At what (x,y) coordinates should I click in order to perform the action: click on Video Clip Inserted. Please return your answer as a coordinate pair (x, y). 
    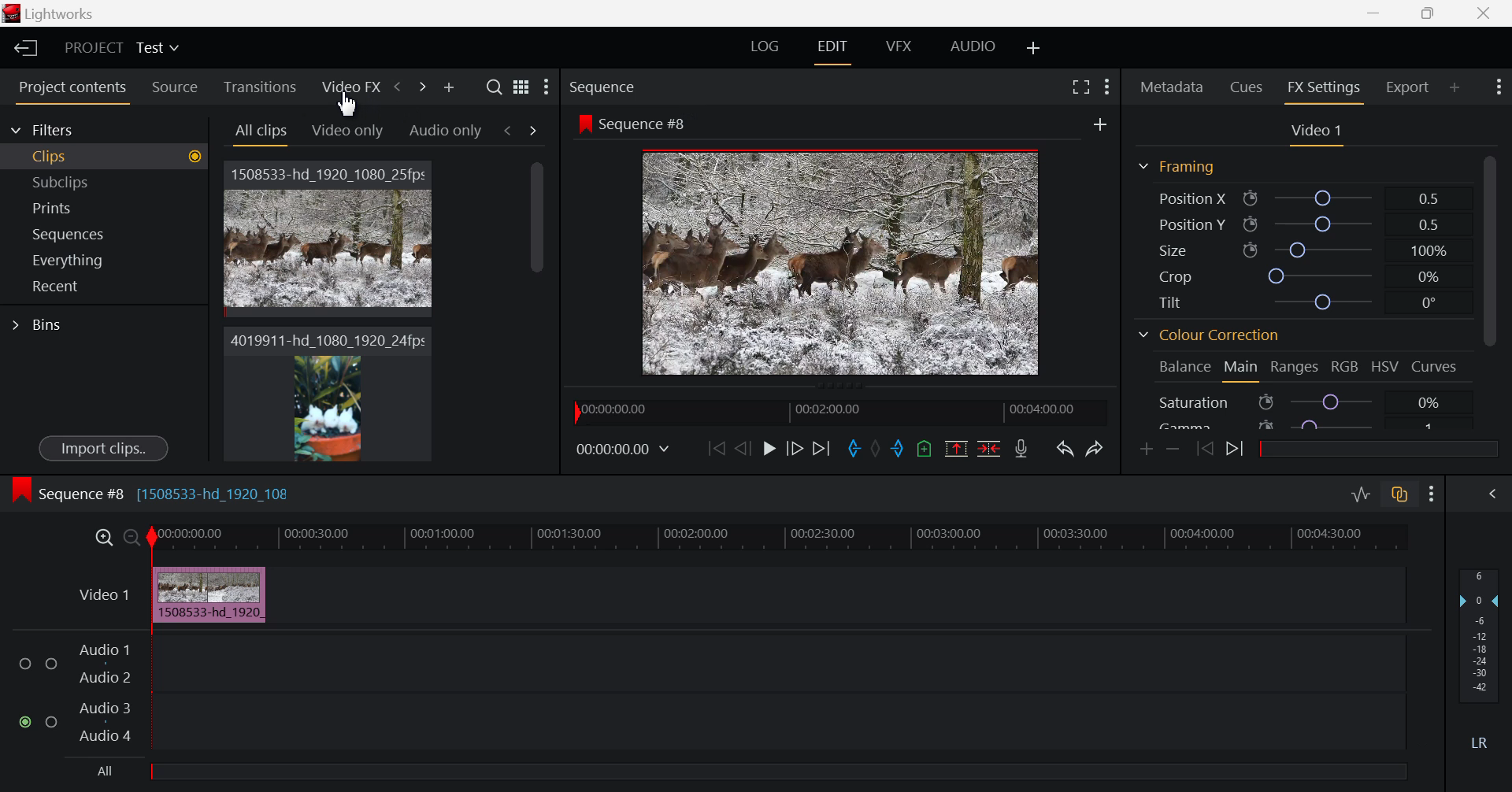
    Looking at the image, I should click on (209, 592).